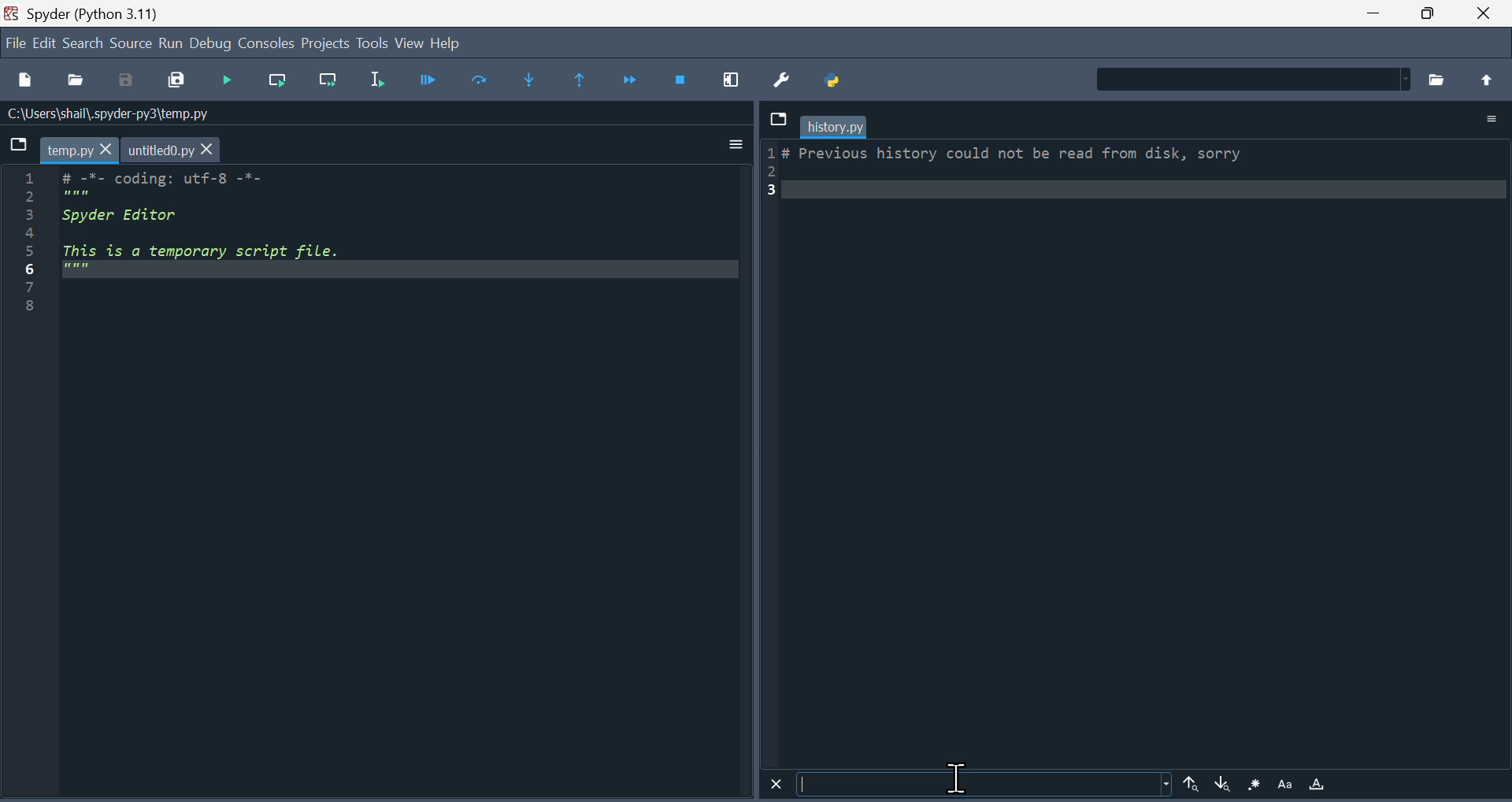 The image size is (1512, 802). Describe the element at coordinates (11, 13) in the screenshot. I see `spyder logo` at that location.